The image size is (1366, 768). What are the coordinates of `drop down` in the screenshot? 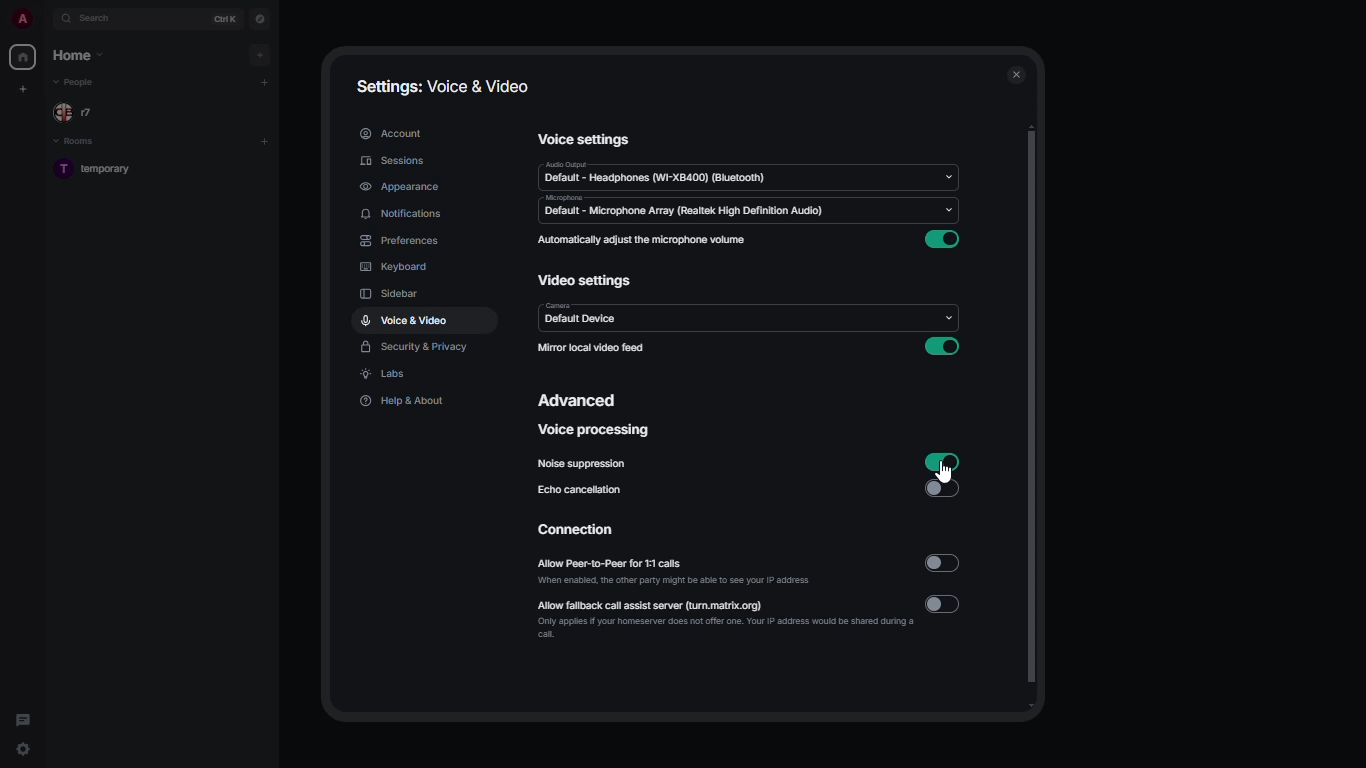 It's located at (953, 177).